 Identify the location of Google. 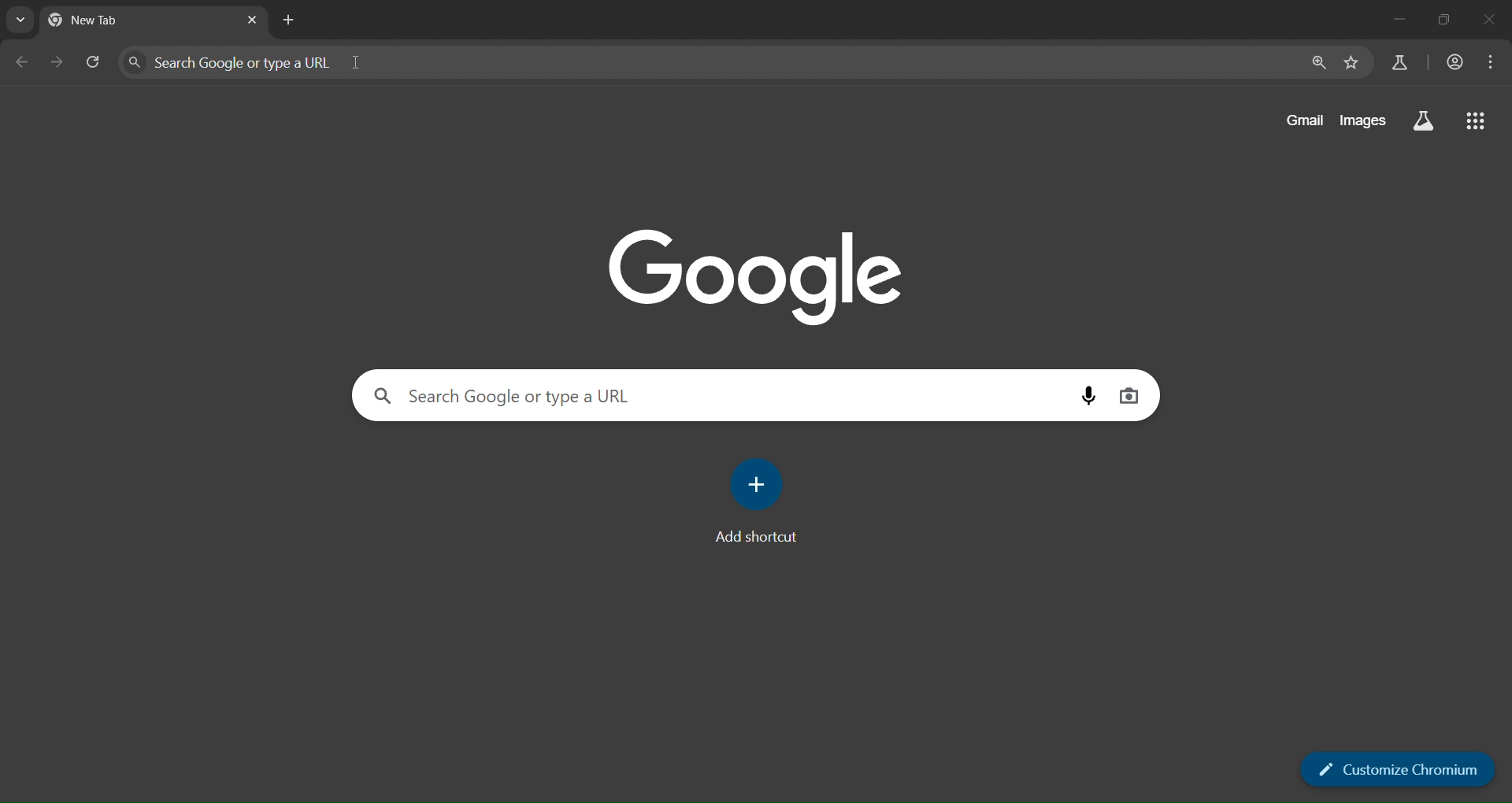
(759, 273).